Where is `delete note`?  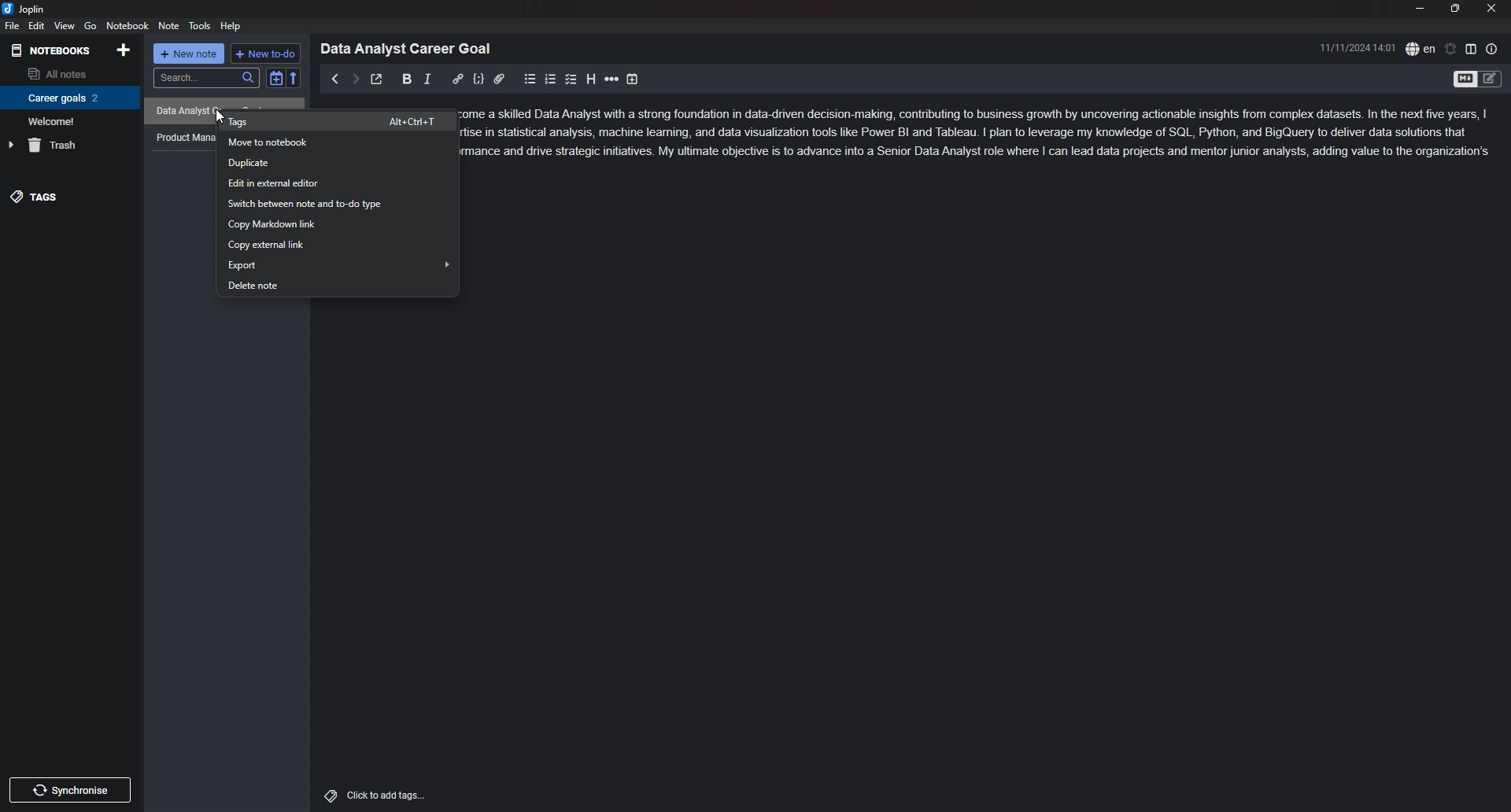
delete note is located at coordinates (338, 285).